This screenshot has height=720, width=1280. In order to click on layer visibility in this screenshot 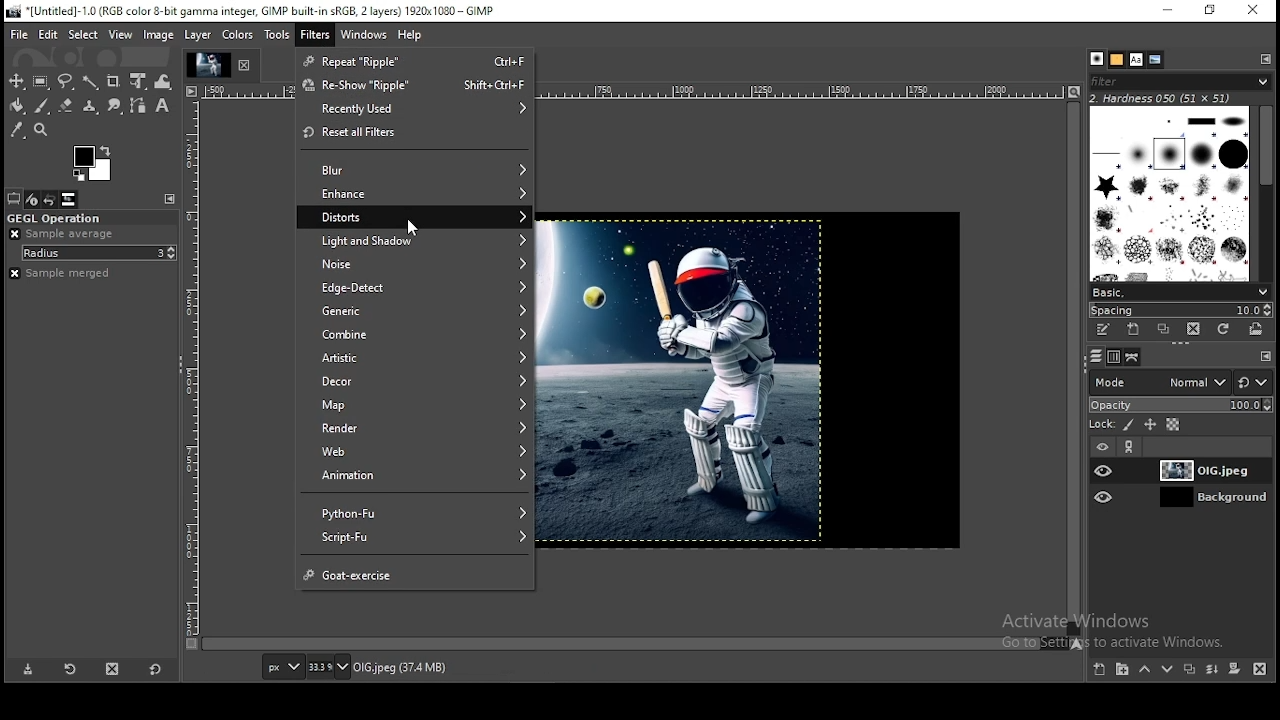, I will do `click(1102, 447)`.